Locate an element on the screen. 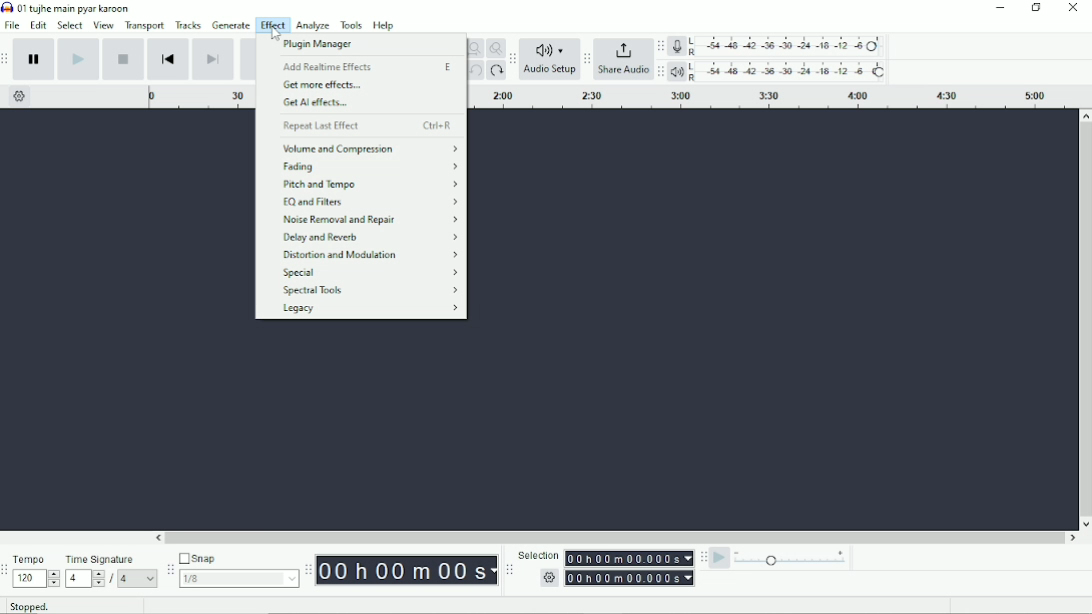  Time Signature is located at coordinates (111, 570).